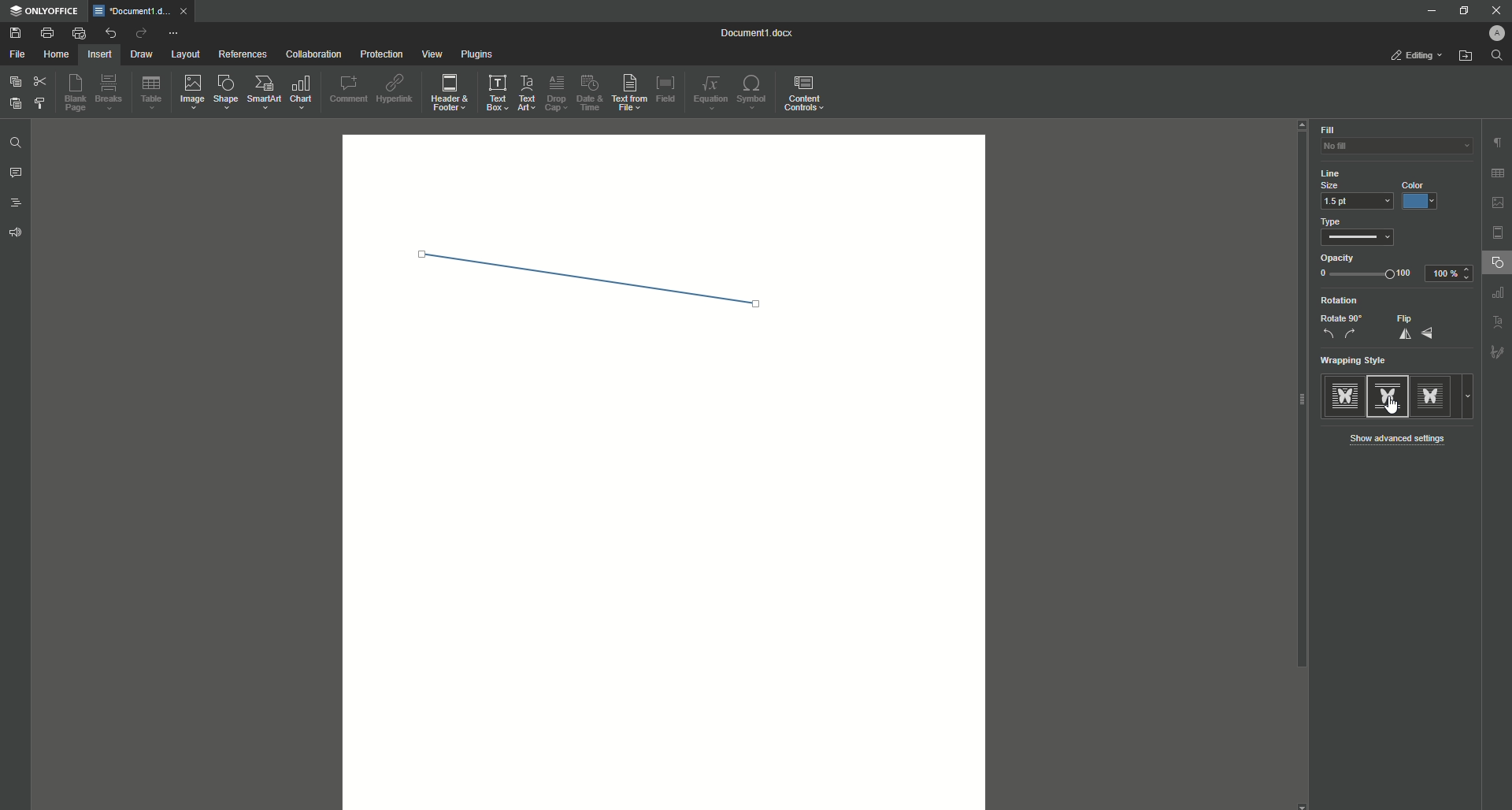 The height and width of the screenshot is (810, 1512). I want to click on Insert, so click(98, 54).